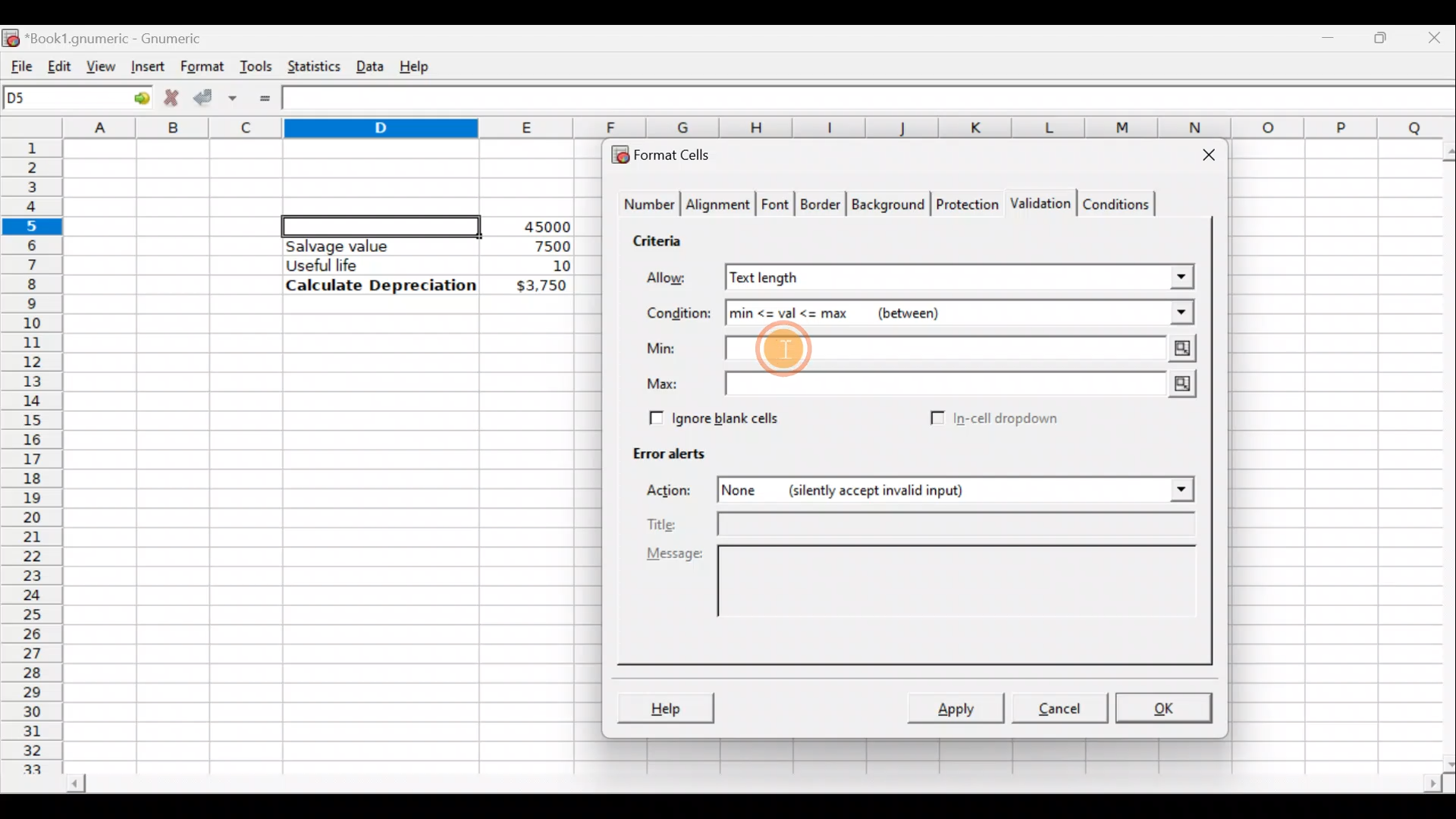 Image resolution: width=1456 pixels, height=819 pixels. What do you see at coordinates (887, 203) in the screenshot?
I see `Background` at bounding box center [887, 203].